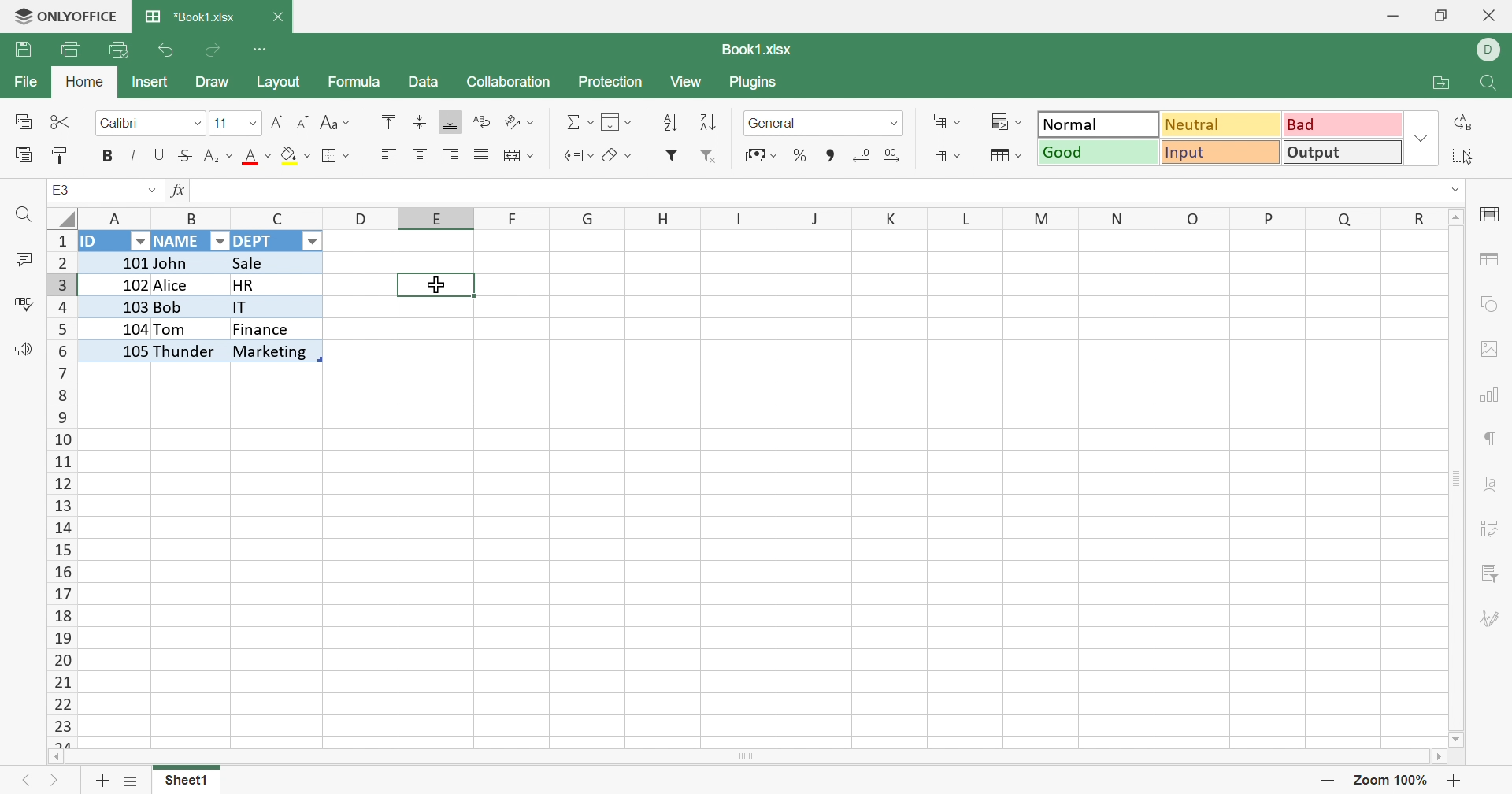  Describe the element at coordinates (1490, 485) in the screenshot. I see `Text Art settings` at that location.